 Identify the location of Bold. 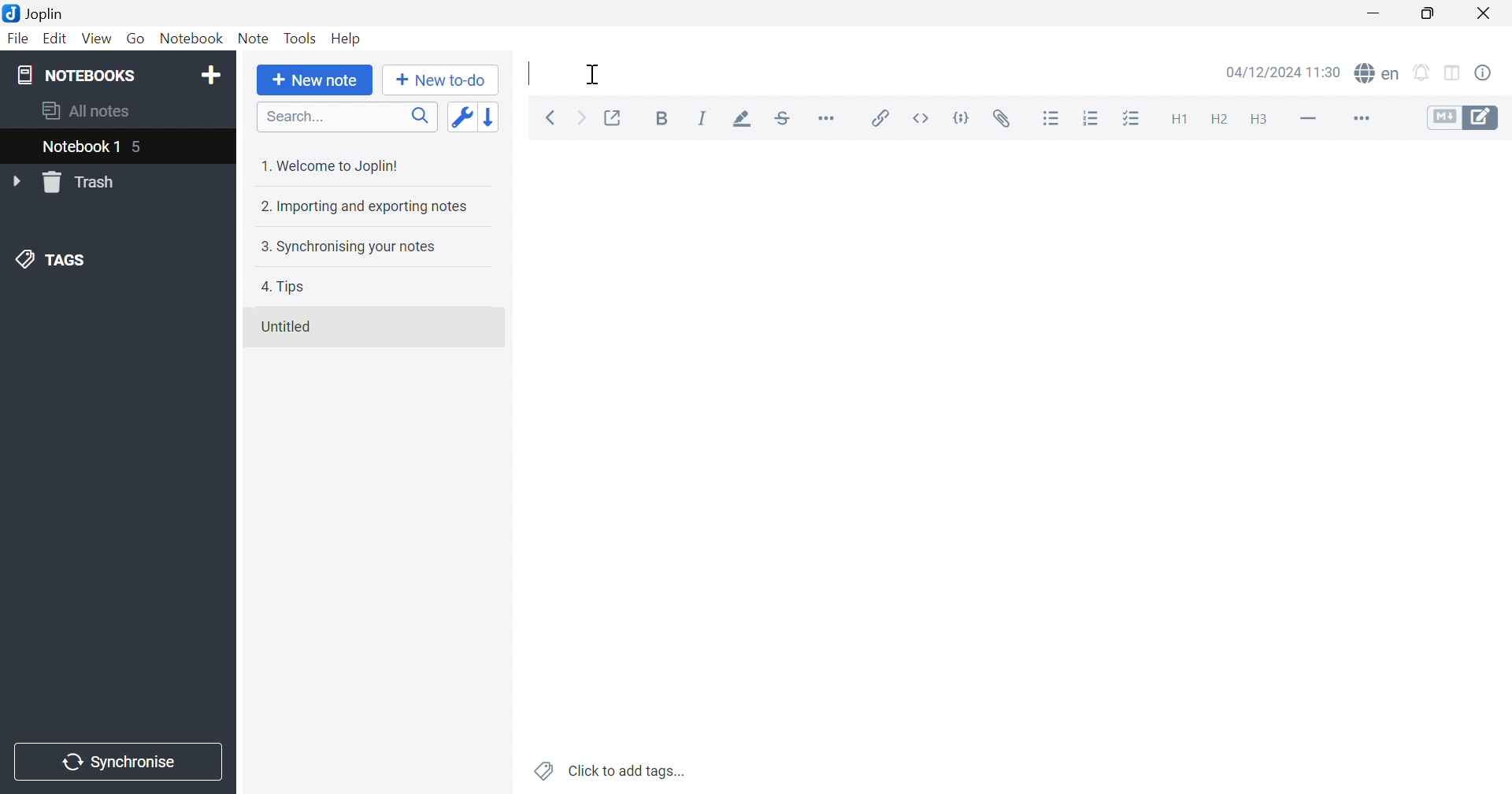
(662, 117).